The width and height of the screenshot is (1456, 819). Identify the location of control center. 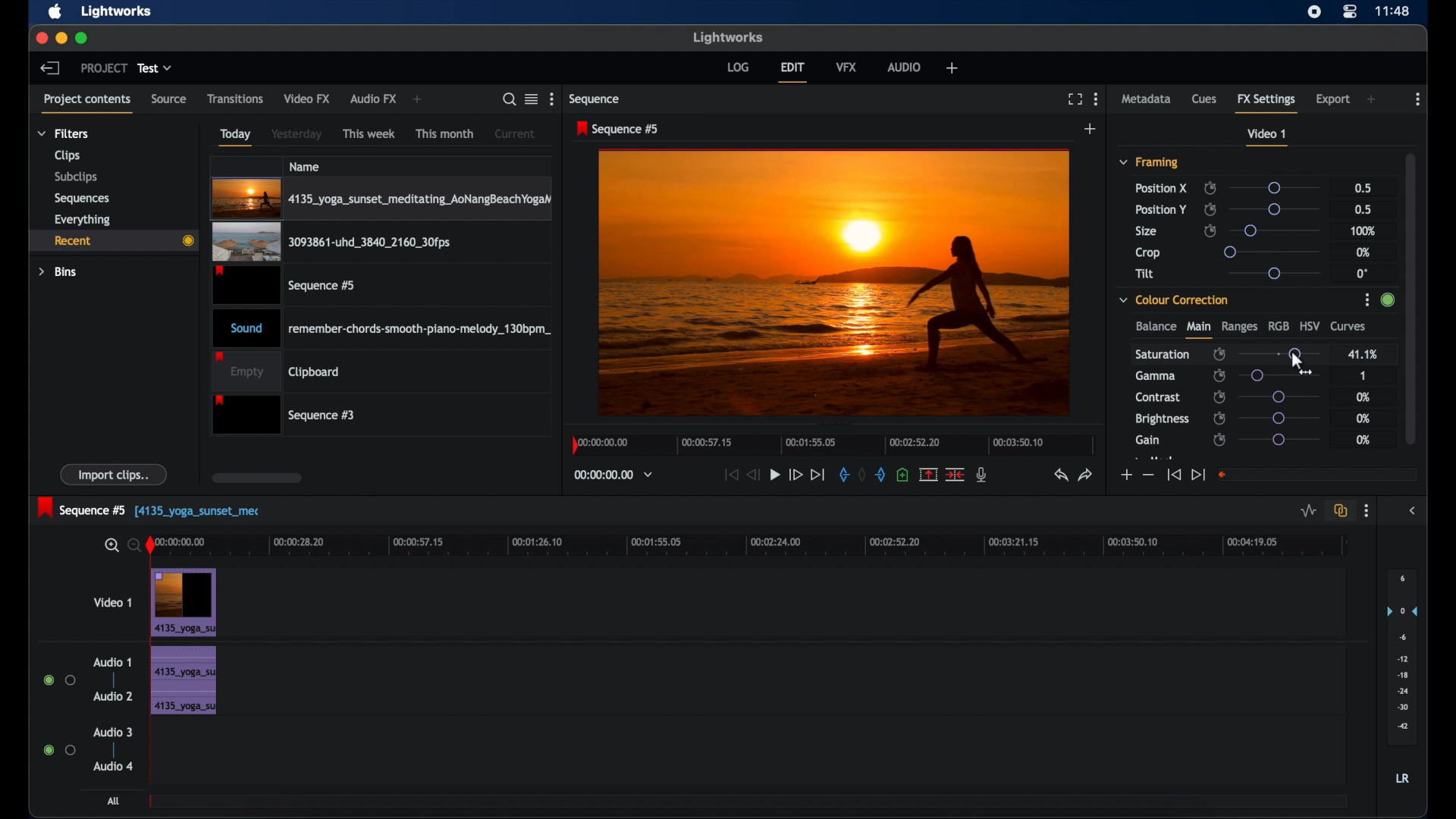
(1351, 11).